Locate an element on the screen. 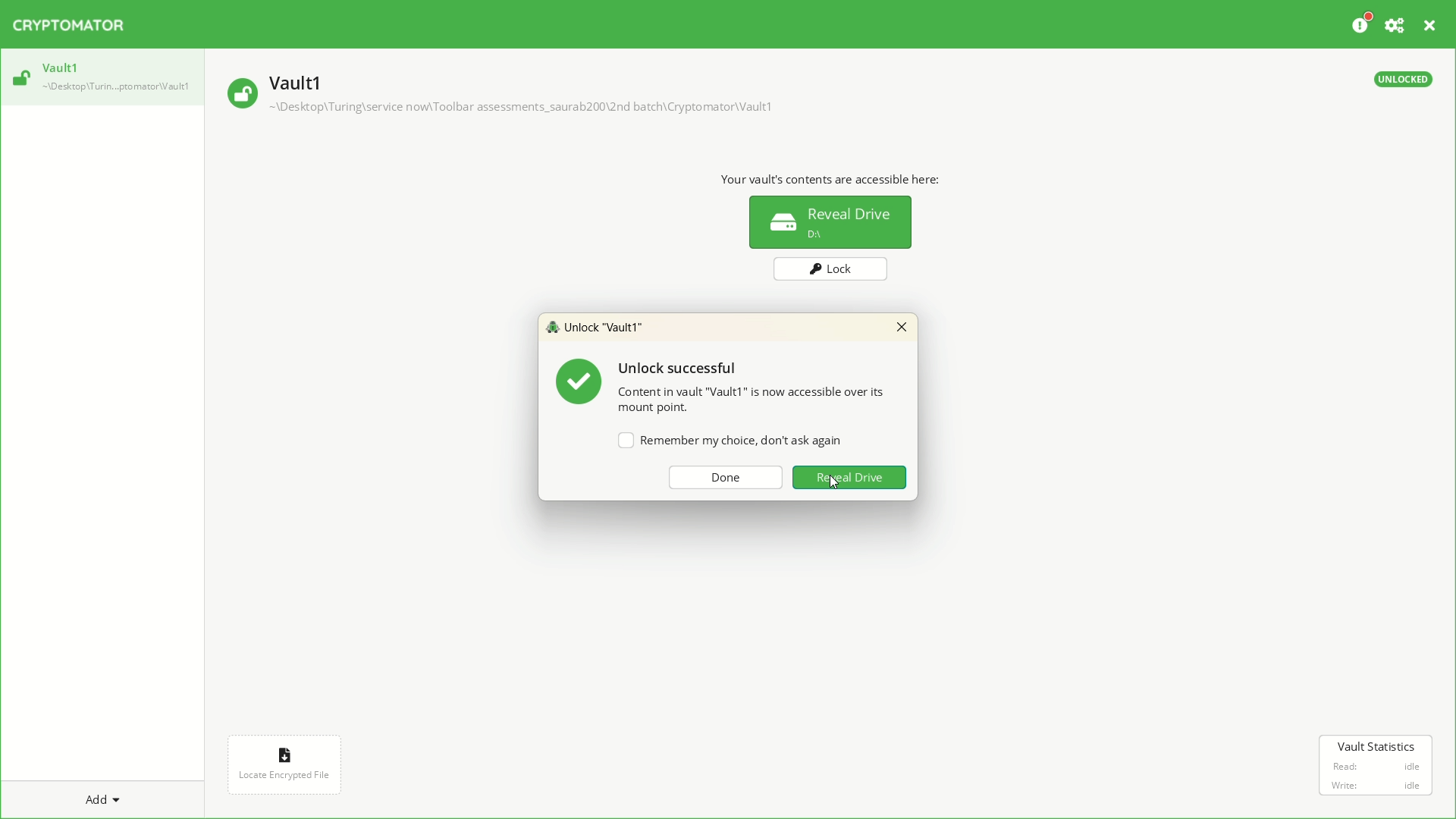 This screenshot has height=819, width=1456. unlocked is located at coordinates (19, 80).